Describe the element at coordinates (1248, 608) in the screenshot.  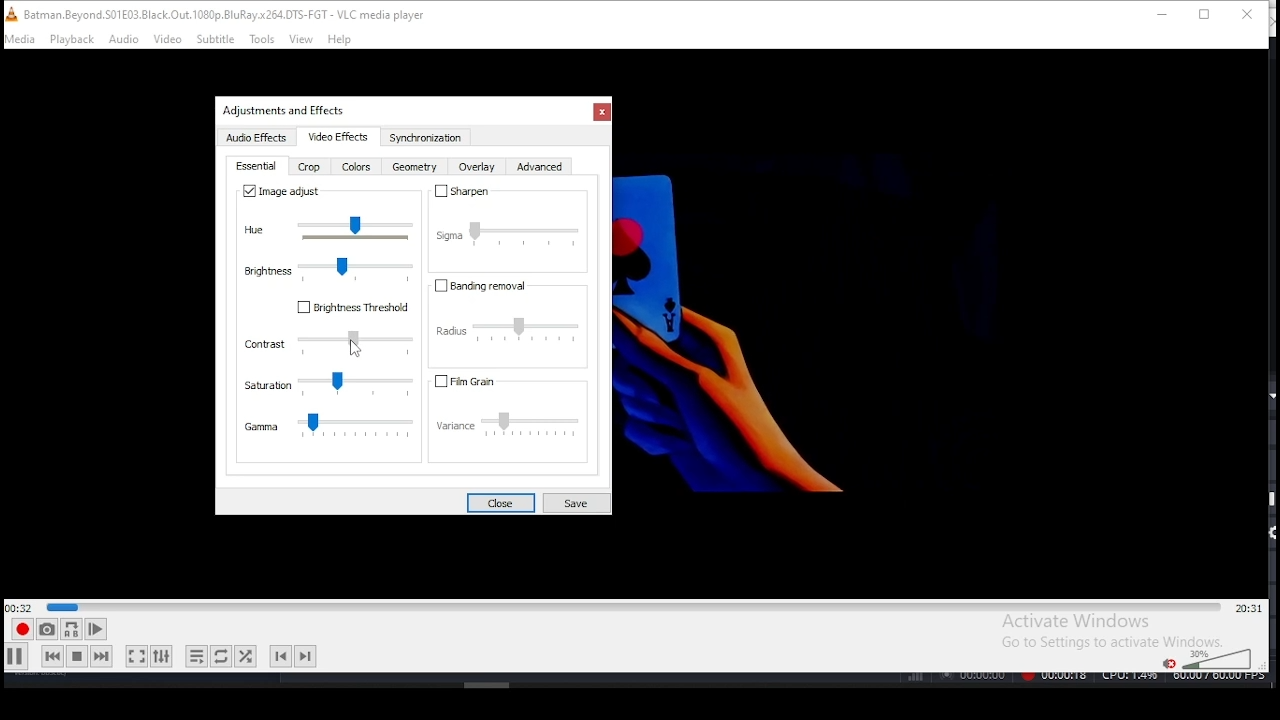
I see `remaining/total time` at that location.